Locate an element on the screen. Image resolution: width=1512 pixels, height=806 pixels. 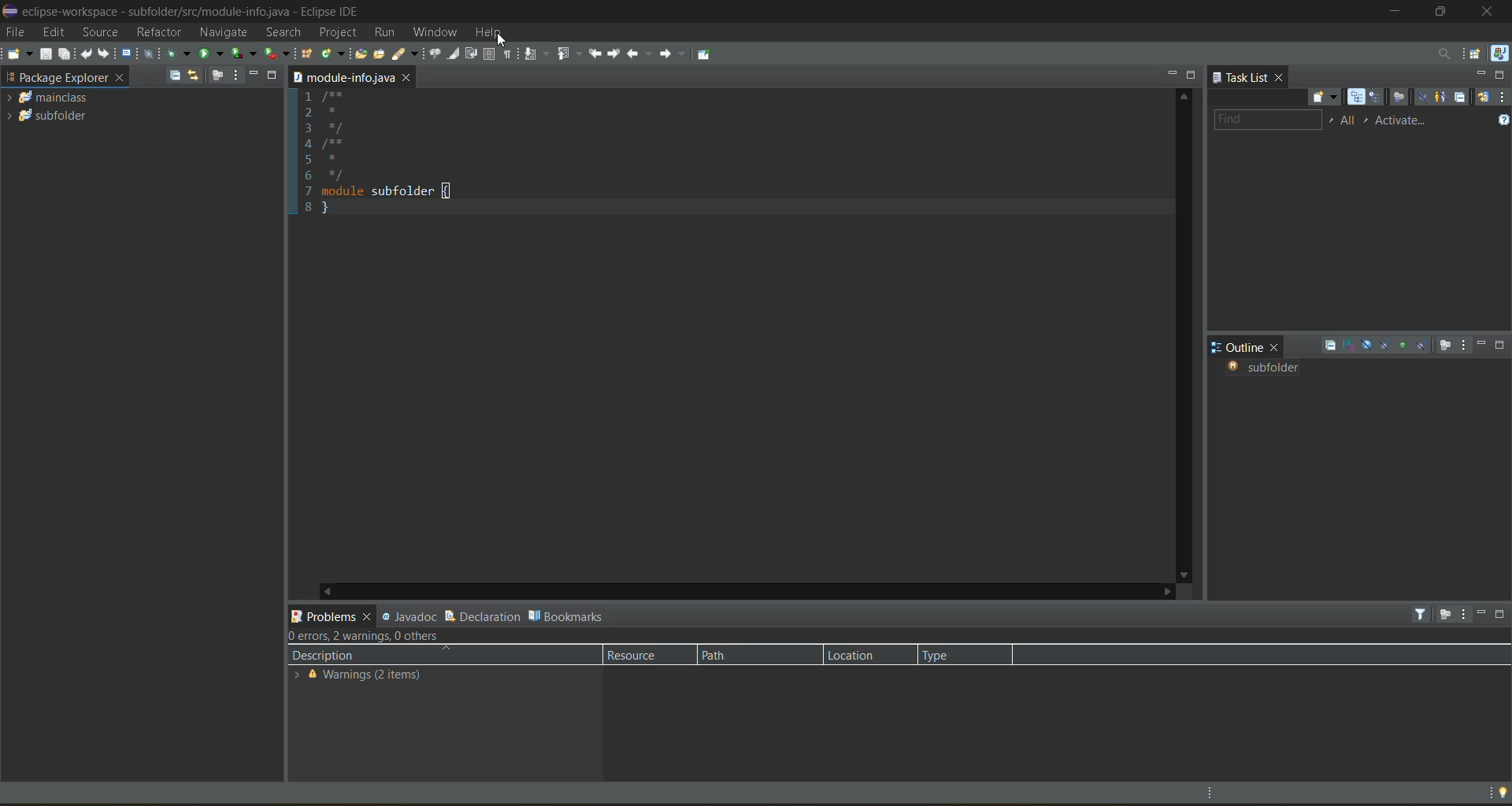
task list is located at coordinates (1243, 79).